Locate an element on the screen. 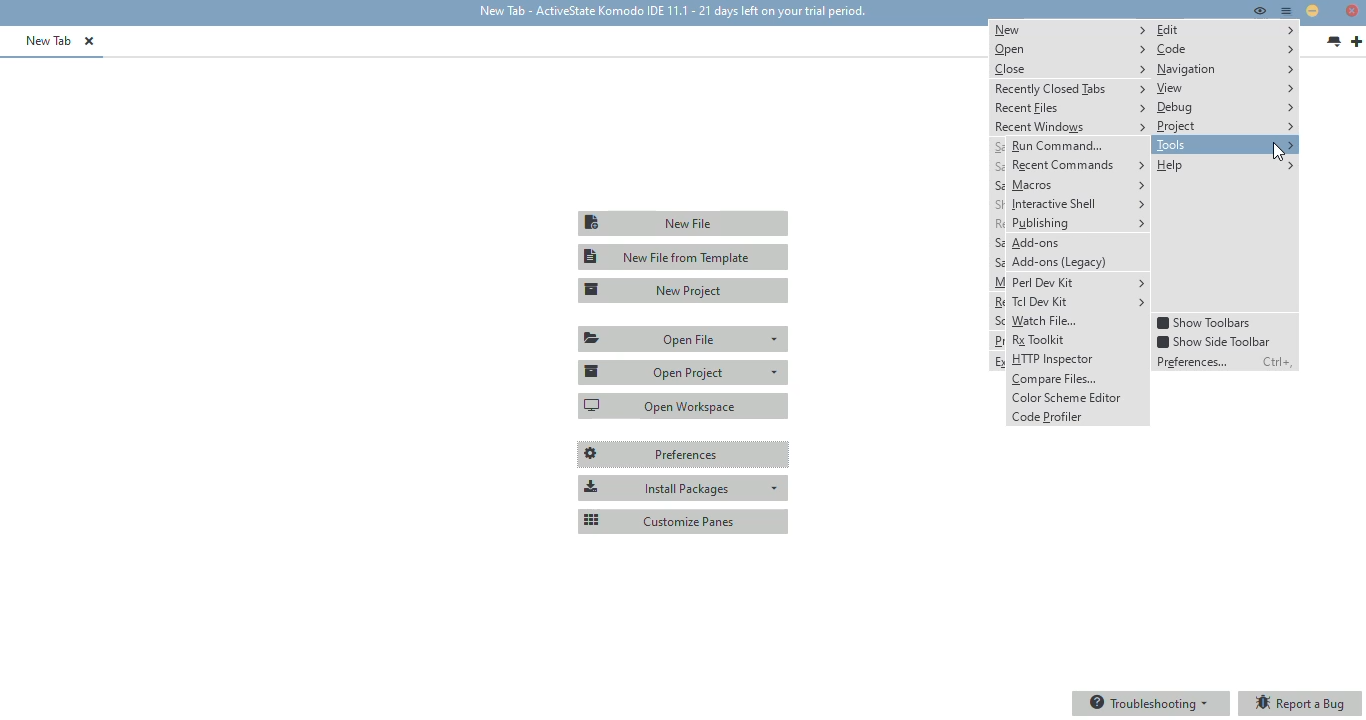 Image resolution: width=1366 pixels, height=720 pixels. edit is located at coordinates (1226, 30).